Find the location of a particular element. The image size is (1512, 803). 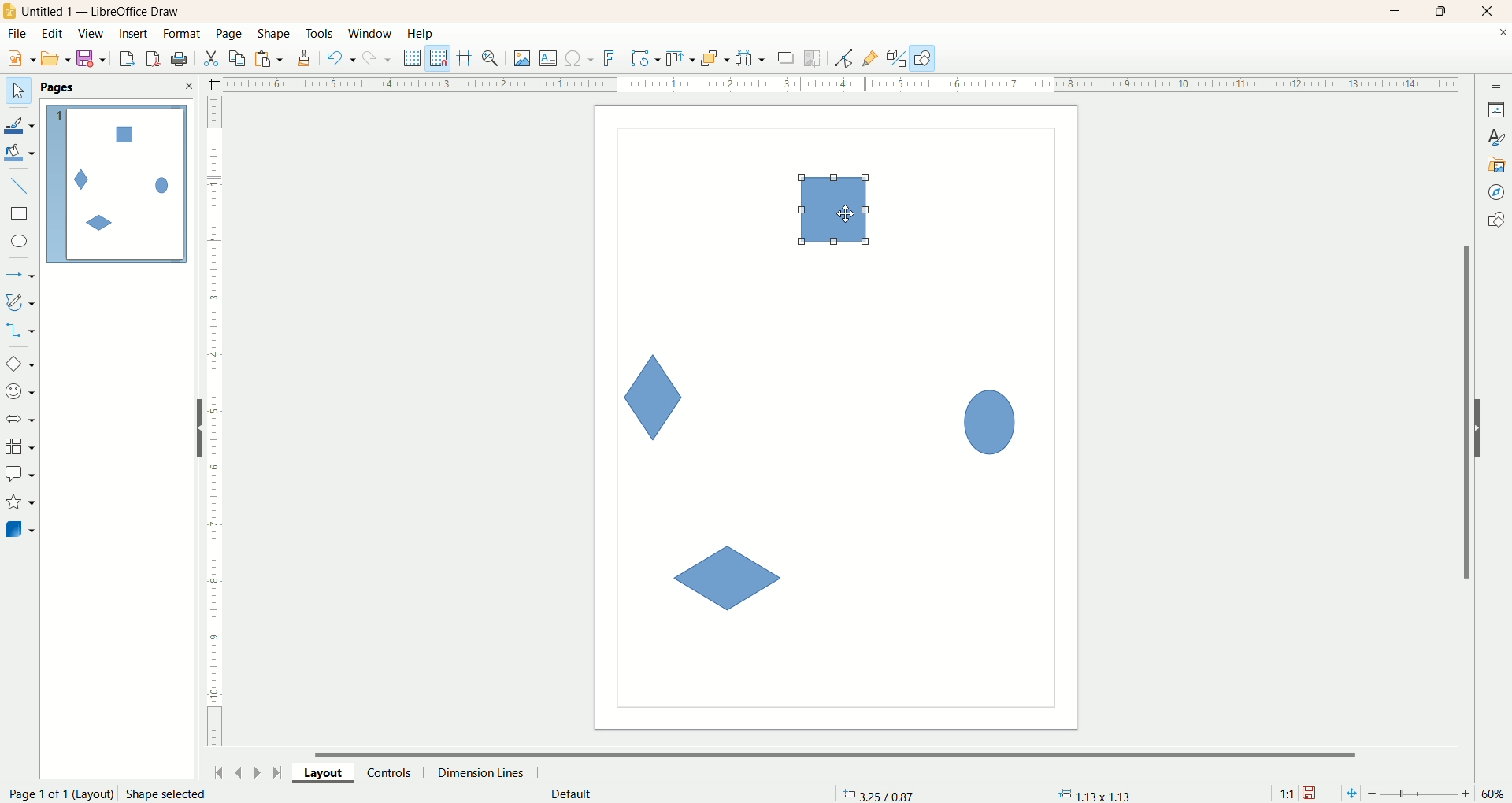

navigator is located at coordinates (1497, 193).